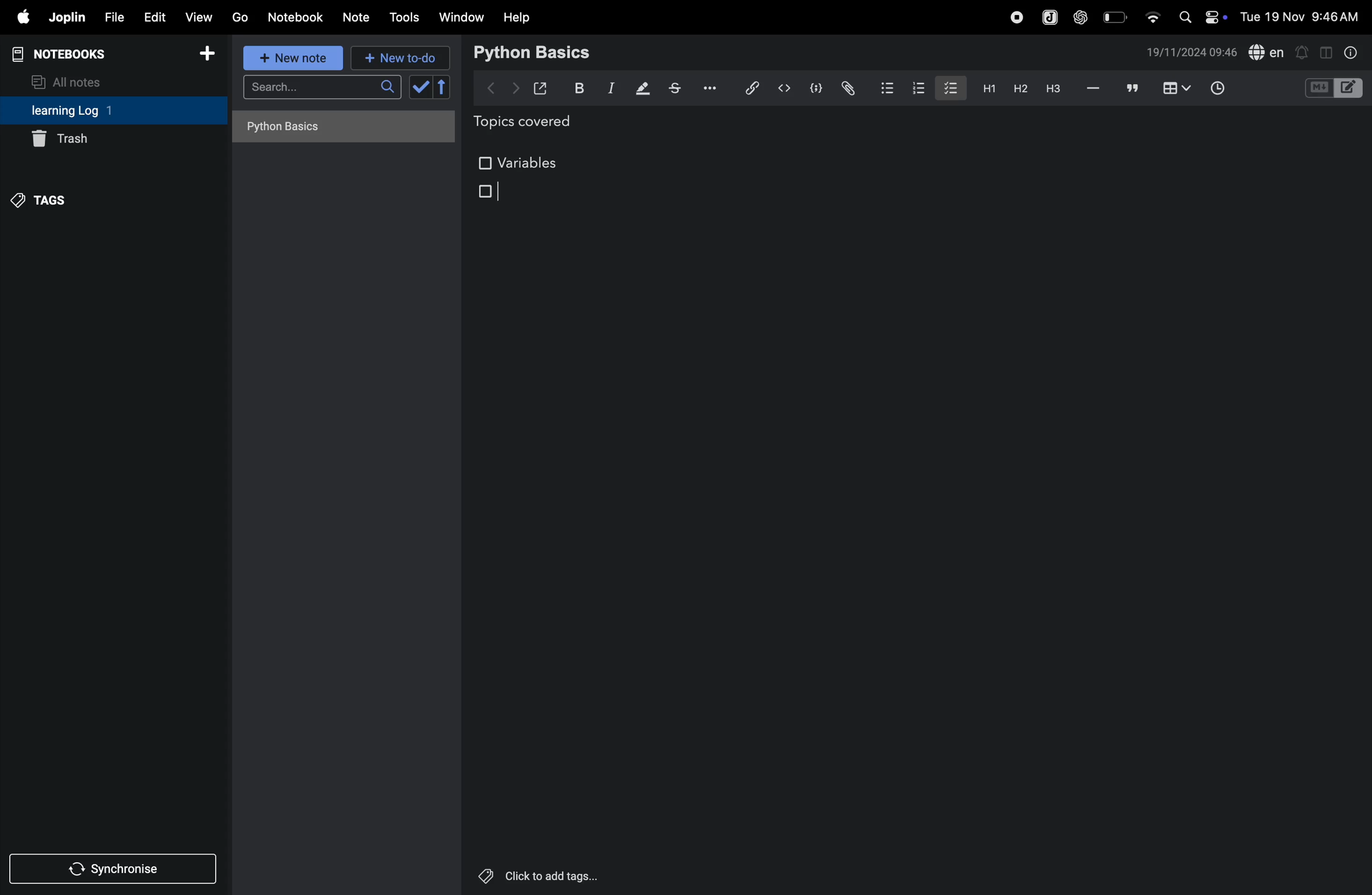 The image size is (1372, 895). I want to click on date and time, so click(1192, 52).